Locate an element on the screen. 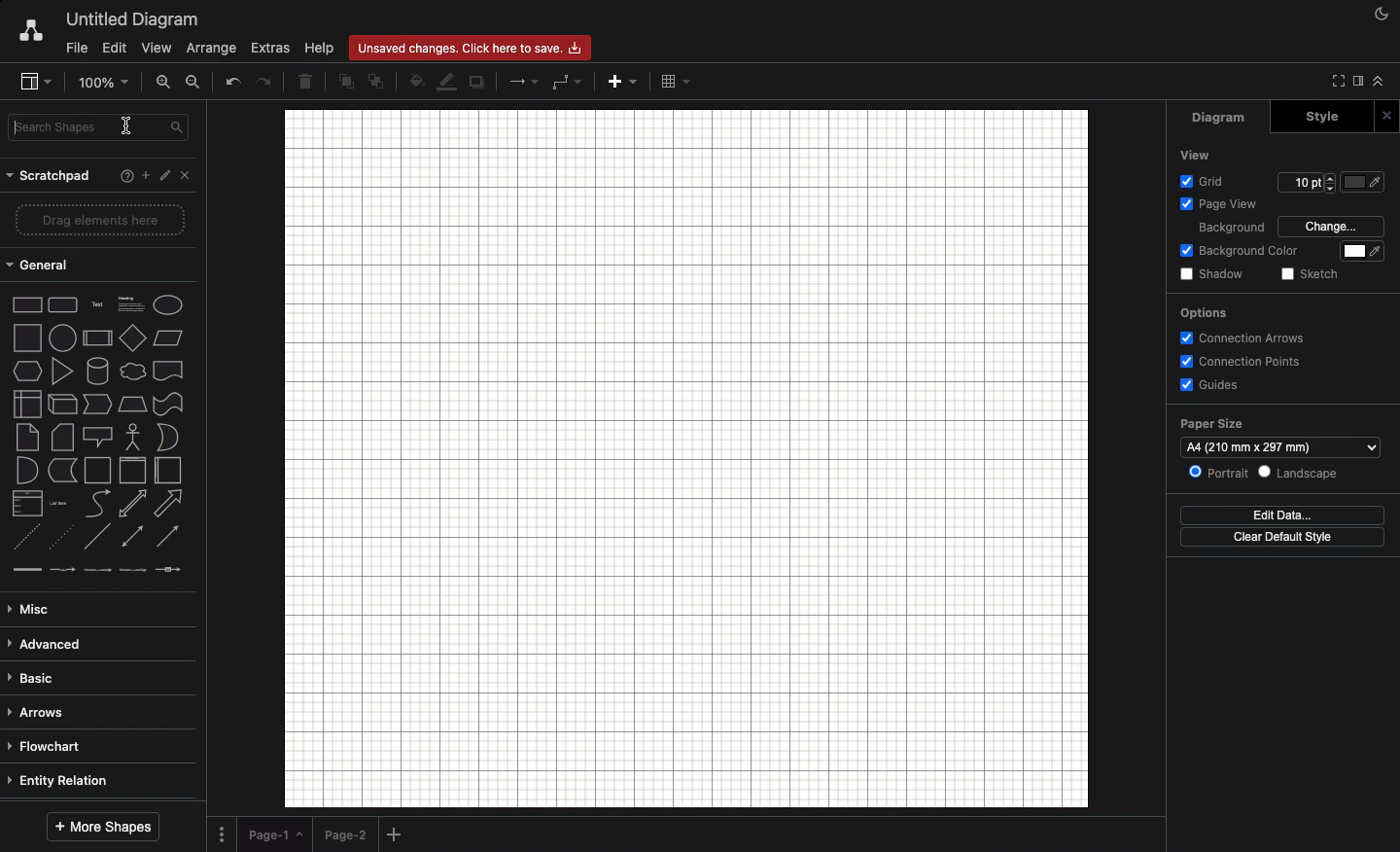 The width and height of the screenshot is (1400, 852). Canvas is located at coordinates (686, 458).